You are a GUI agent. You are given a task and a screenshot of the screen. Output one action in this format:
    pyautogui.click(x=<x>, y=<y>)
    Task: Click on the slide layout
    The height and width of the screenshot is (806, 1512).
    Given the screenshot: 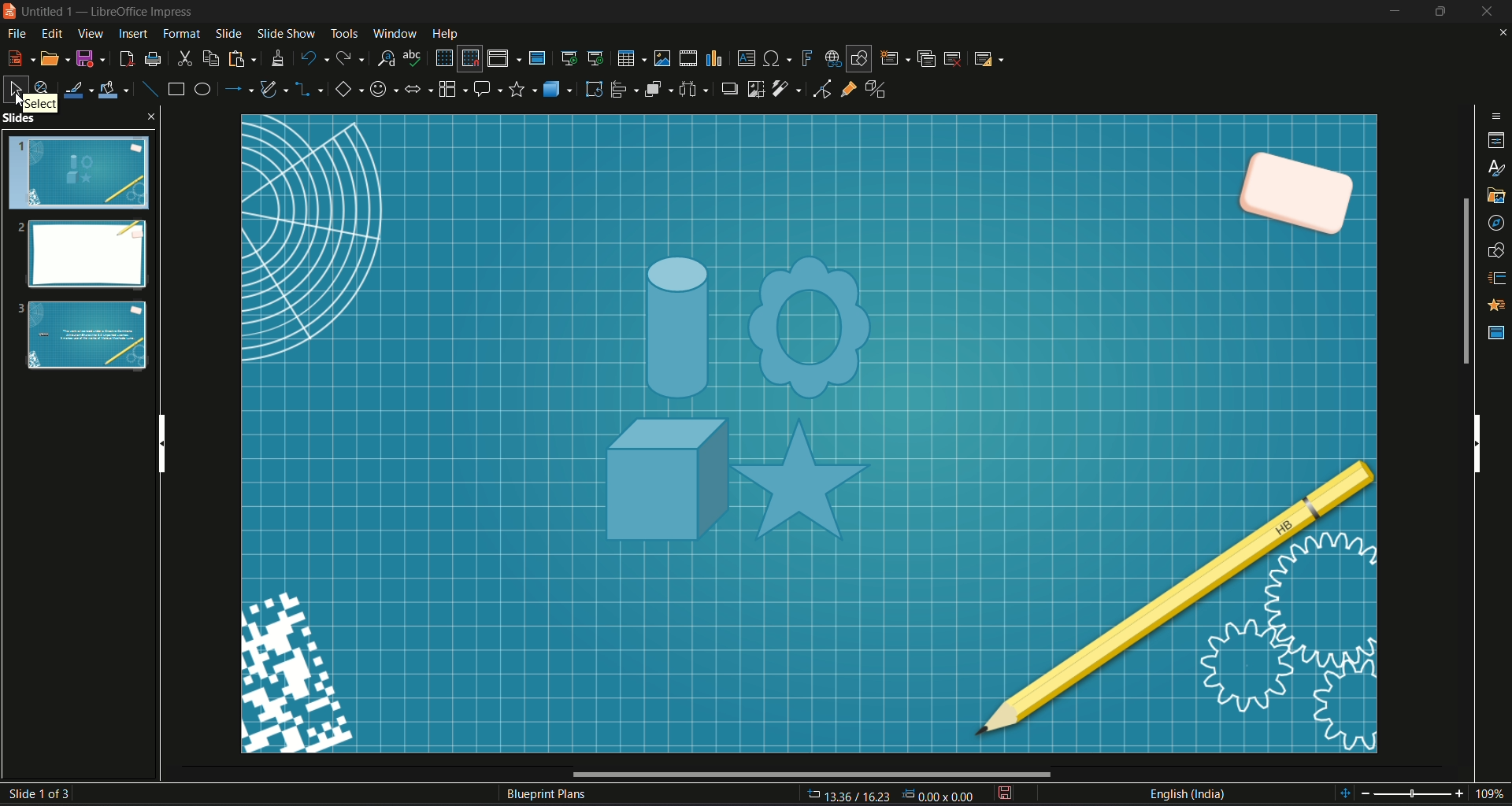 What is the action you would take?
    pyautogui.click(x=987, y=58)
    